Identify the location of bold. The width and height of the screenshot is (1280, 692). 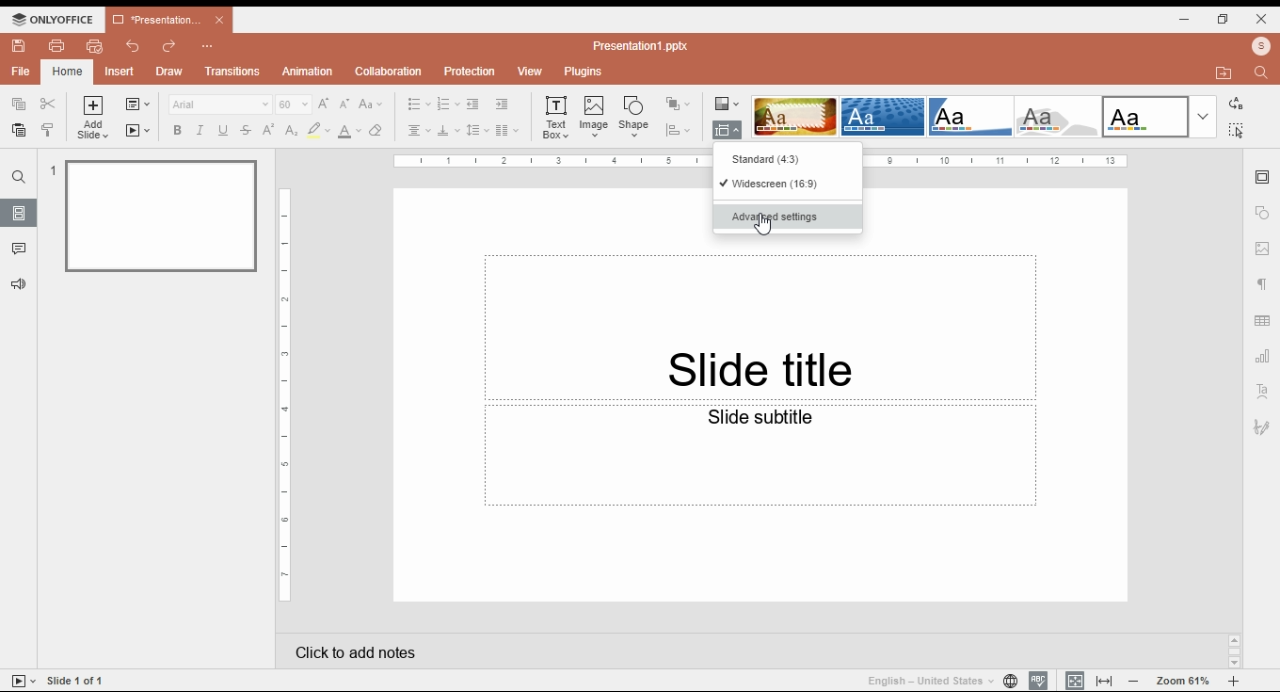
(176, 130).